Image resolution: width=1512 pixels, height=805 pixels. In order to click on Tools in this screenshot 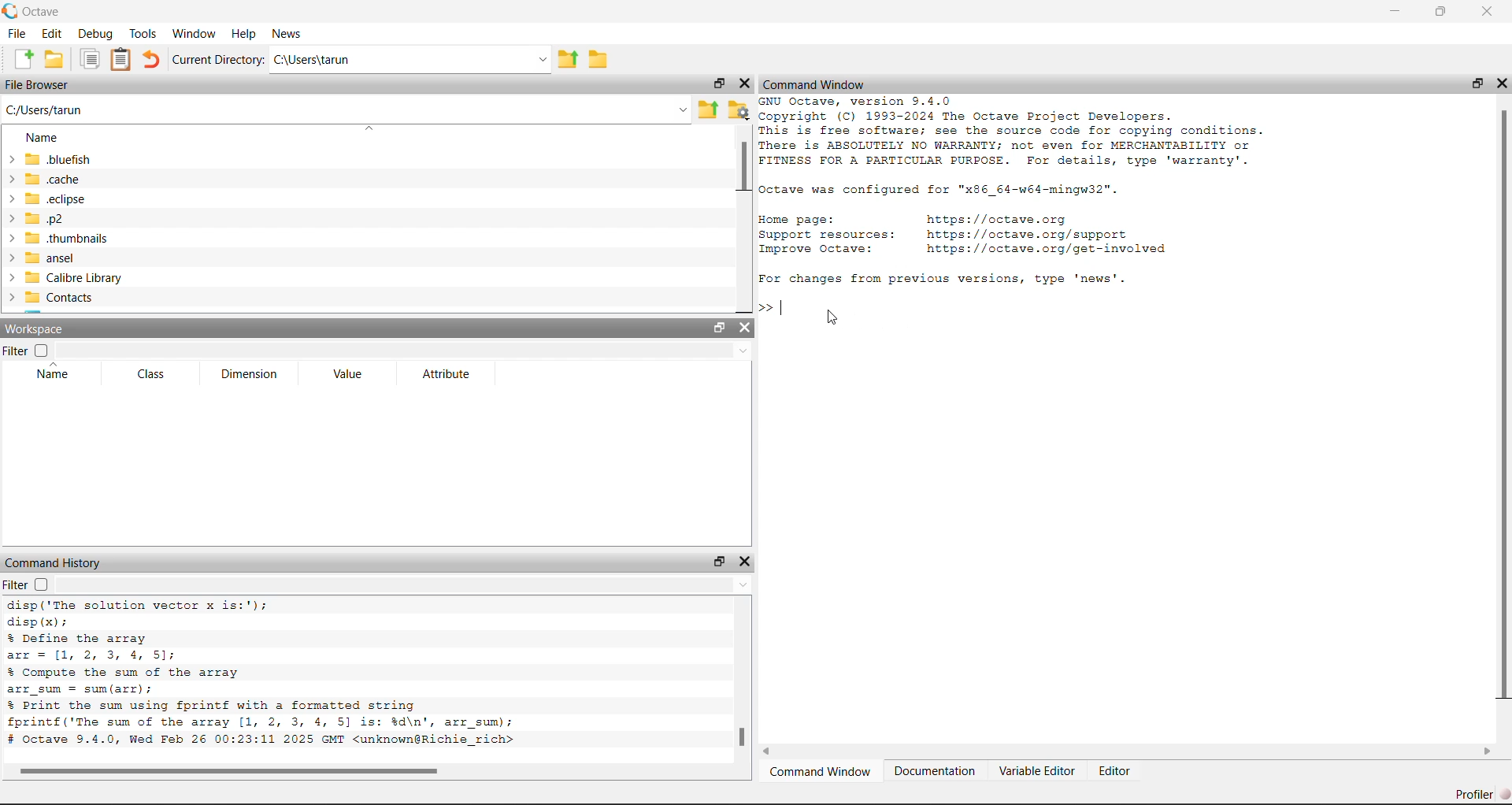, I will do `click(144, 33)`.